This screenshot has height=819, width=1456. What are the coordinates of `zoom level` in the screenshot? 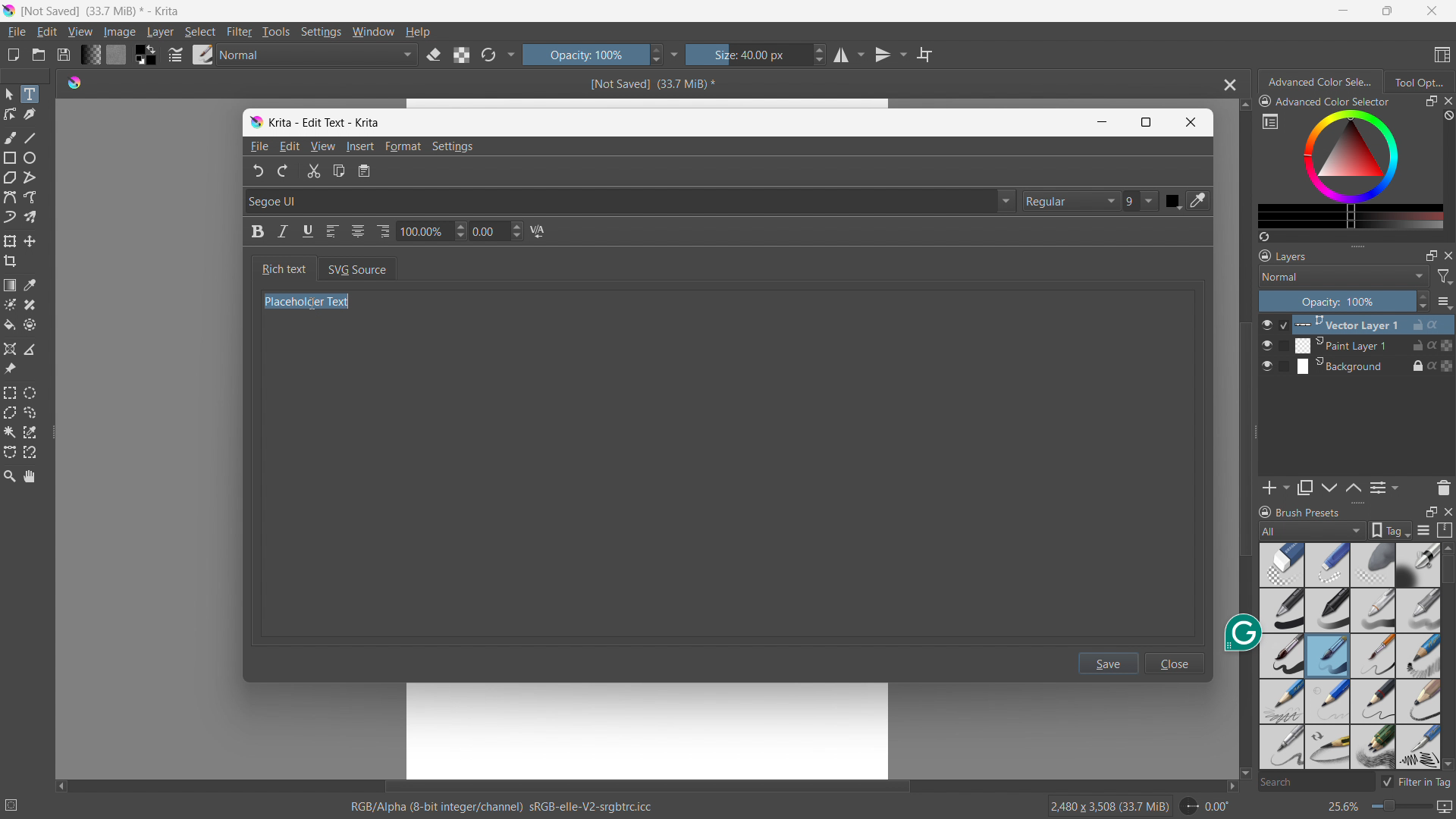 It's located at (1389, 808).